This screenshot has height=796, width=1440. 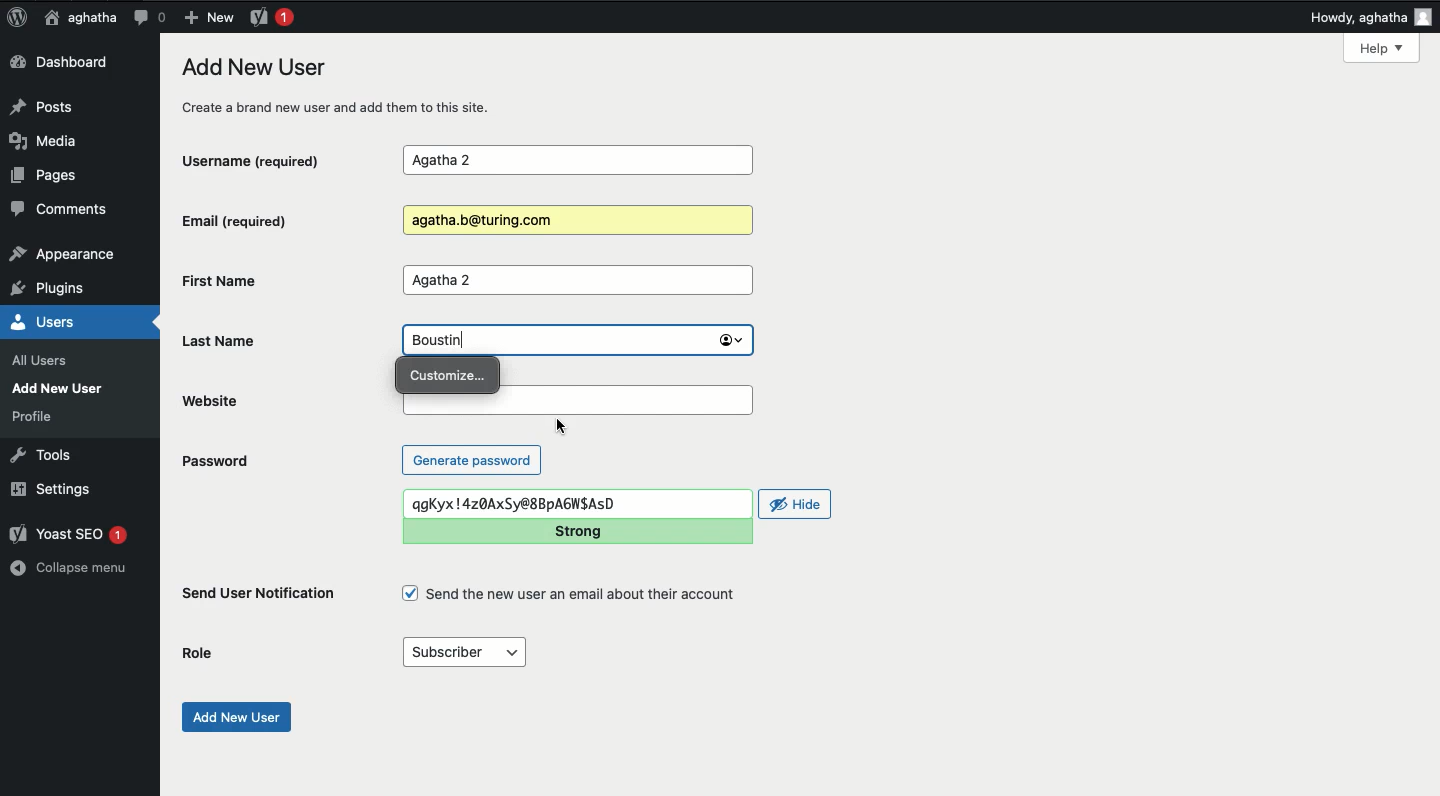 What do you see at coordinates (198, 654) in the screenshot?
I see `Role` at bounding box center [198, 654].